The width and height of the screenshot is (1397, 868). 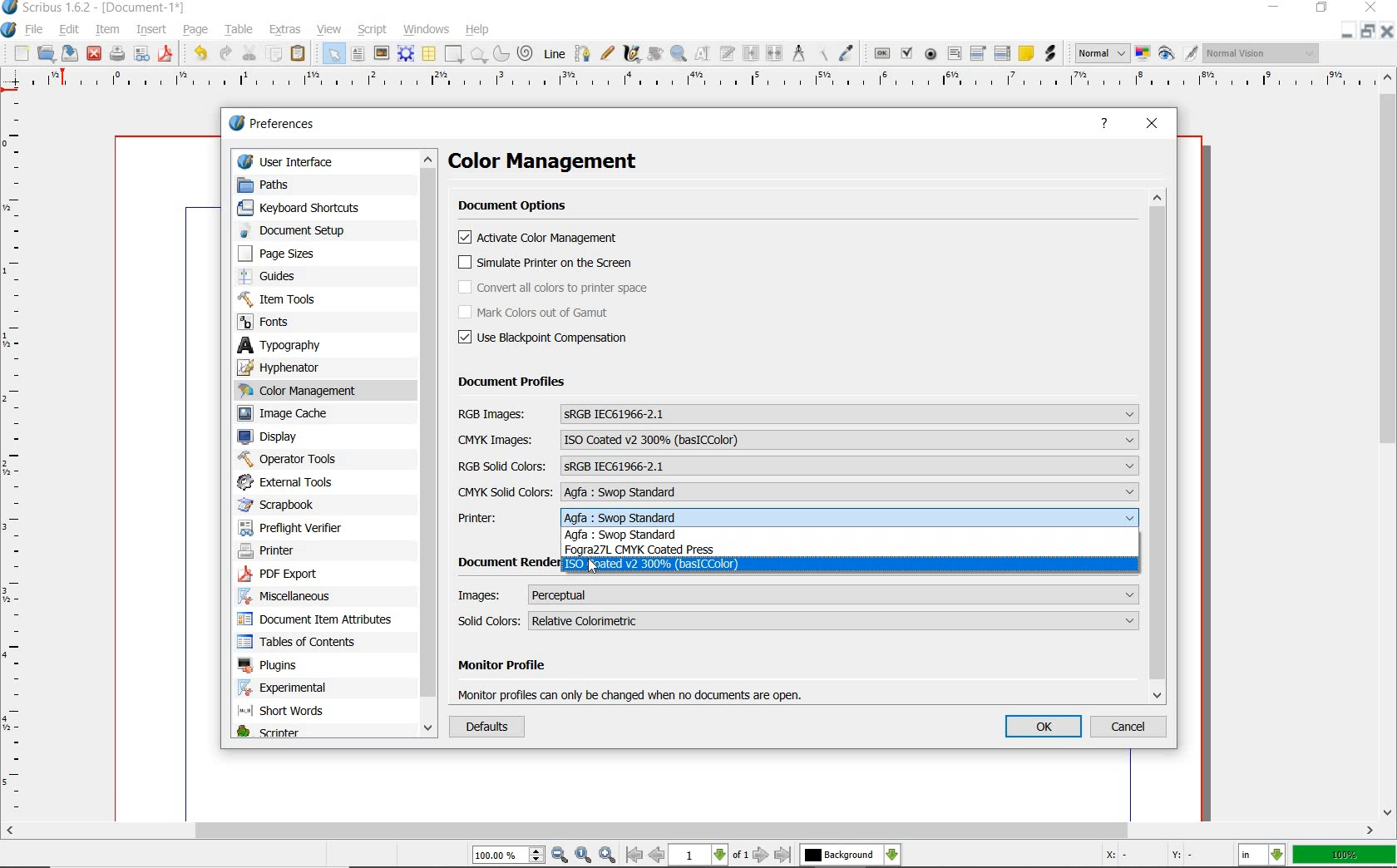 What do you see at coordinates (748, 55) in the screenshot?
I see `link text frames` at bounding box center [748, 55].